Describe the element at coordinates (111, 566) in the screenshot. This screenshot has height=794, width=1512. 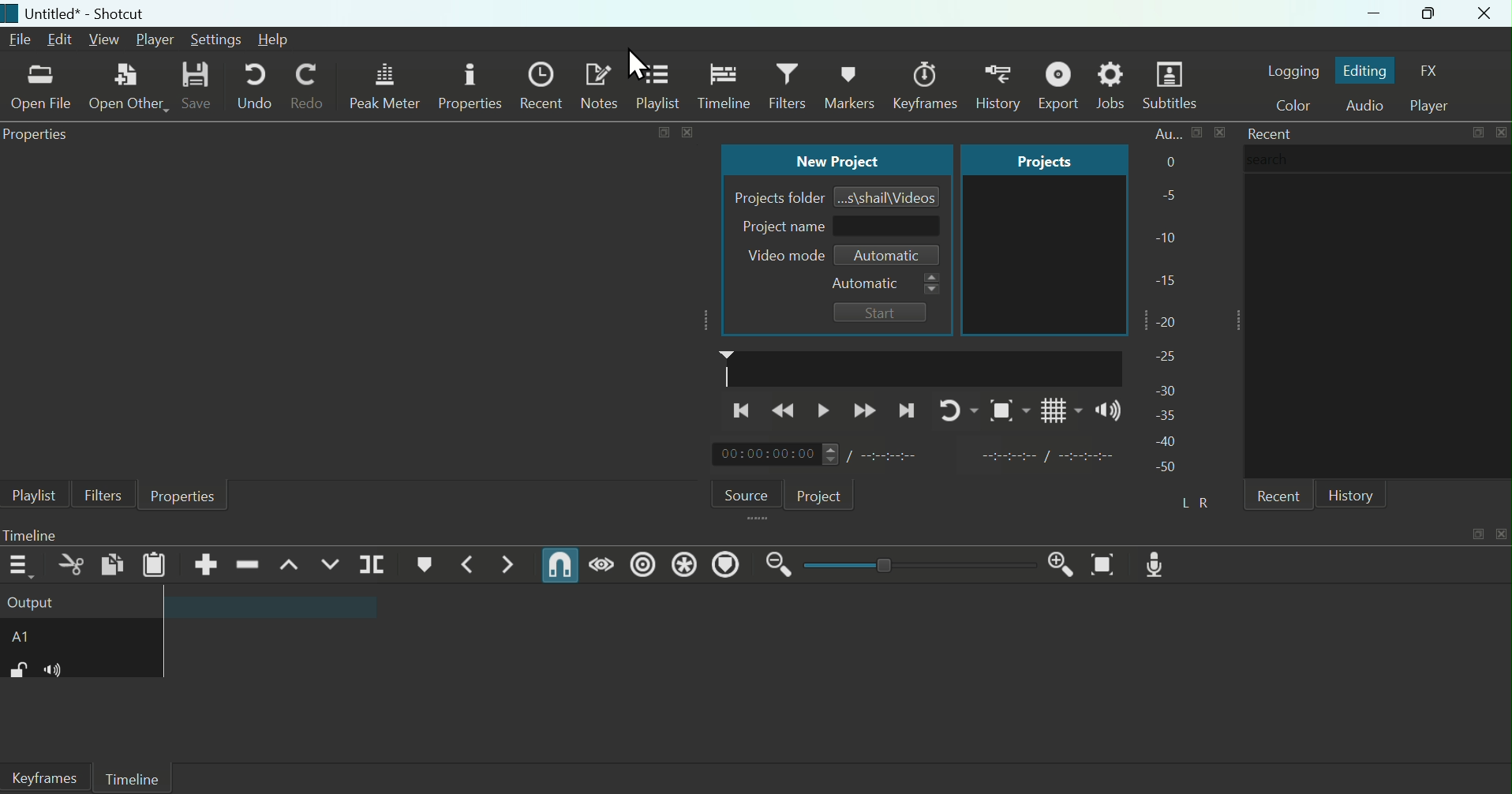
I see `Copy` at that location.